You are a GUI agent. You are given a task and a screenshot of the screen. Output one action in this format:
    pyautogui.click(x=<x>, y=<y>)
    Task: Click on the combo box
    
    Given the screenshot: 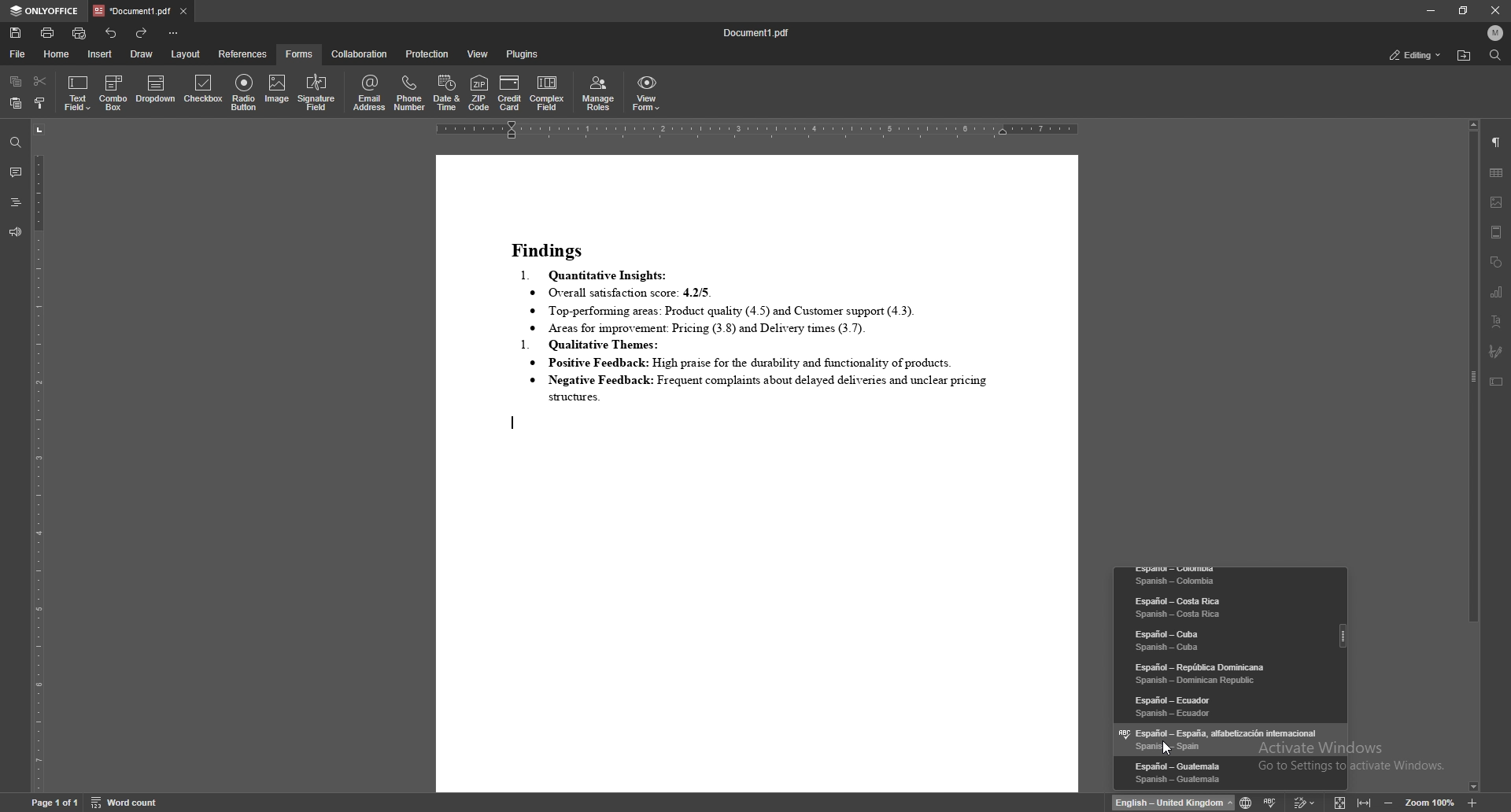 What is the action you would take?
    pyautogui.click(x=114, y=92)
    